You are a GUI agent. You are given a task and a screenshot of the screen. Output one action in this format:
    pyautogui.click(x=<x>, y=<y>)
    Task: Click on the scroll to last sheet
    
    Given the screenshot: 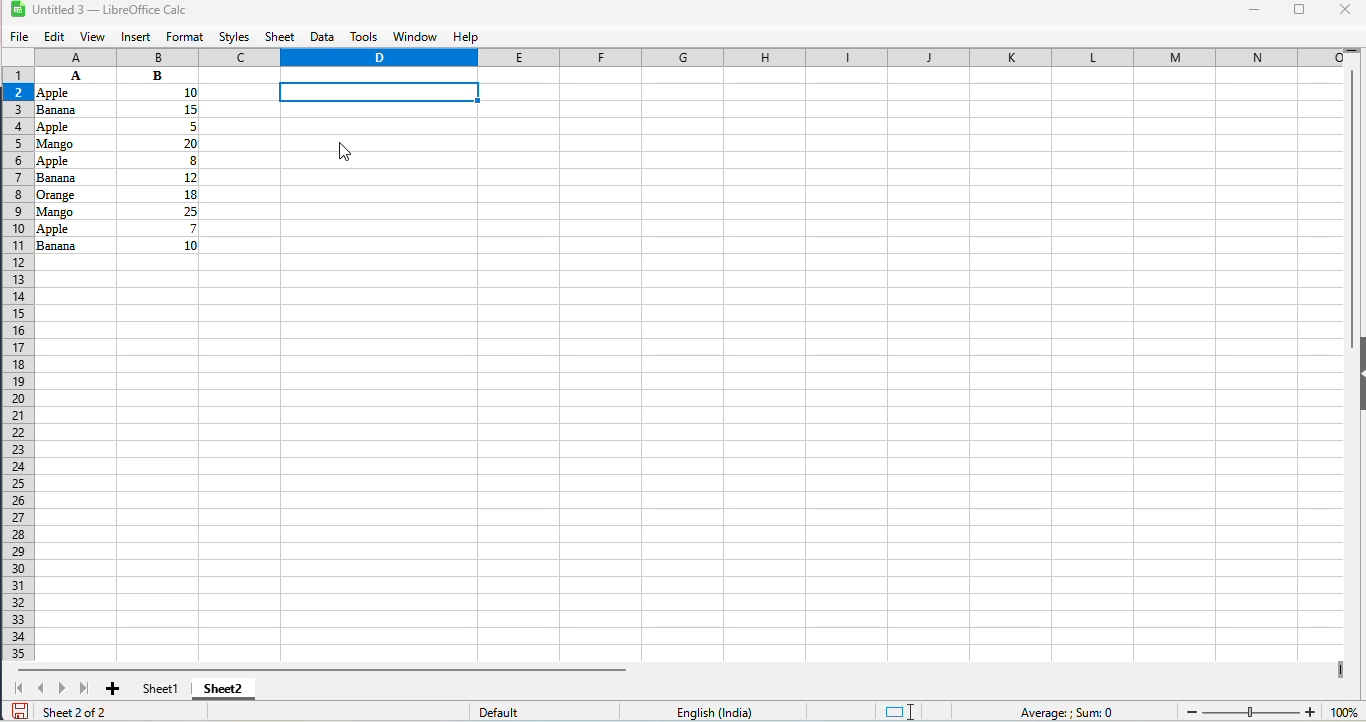 What is the action you would take?
    pyautogui.click(x=85, y=688)
    